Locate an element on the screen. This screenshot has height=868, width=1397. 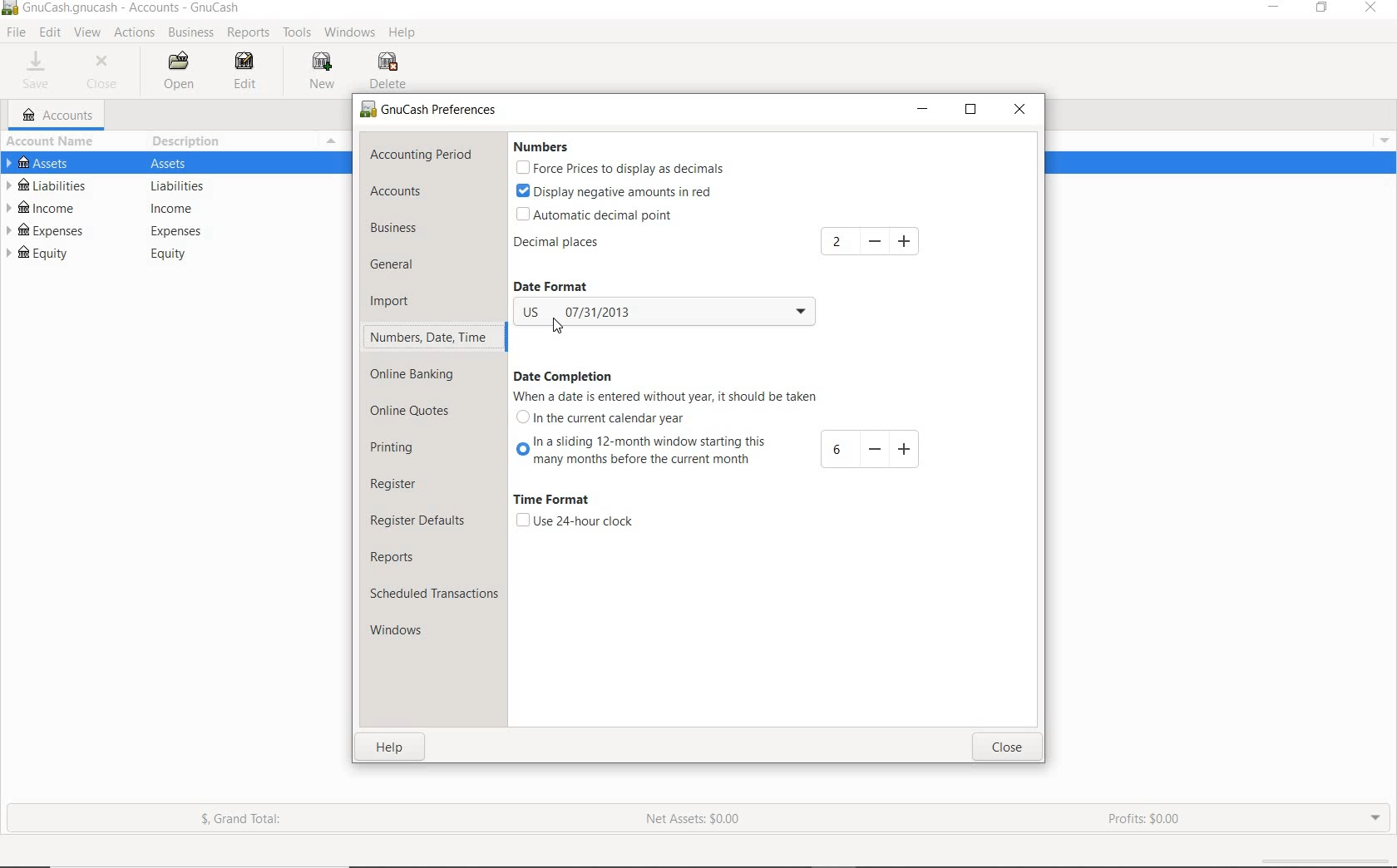
use 24-hour clock is located at coordinates (574, 521).